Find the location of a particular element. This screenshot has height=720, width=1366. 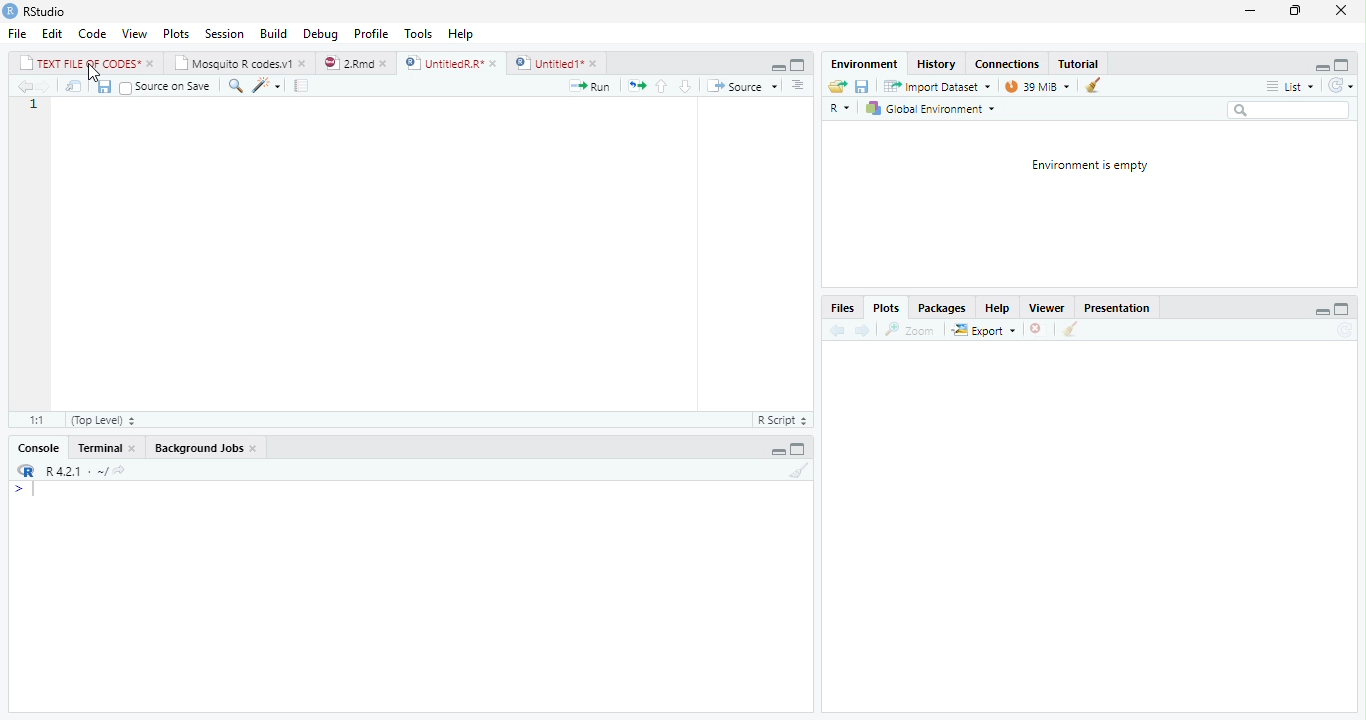

Zoom is located at coordinates (911, 328).